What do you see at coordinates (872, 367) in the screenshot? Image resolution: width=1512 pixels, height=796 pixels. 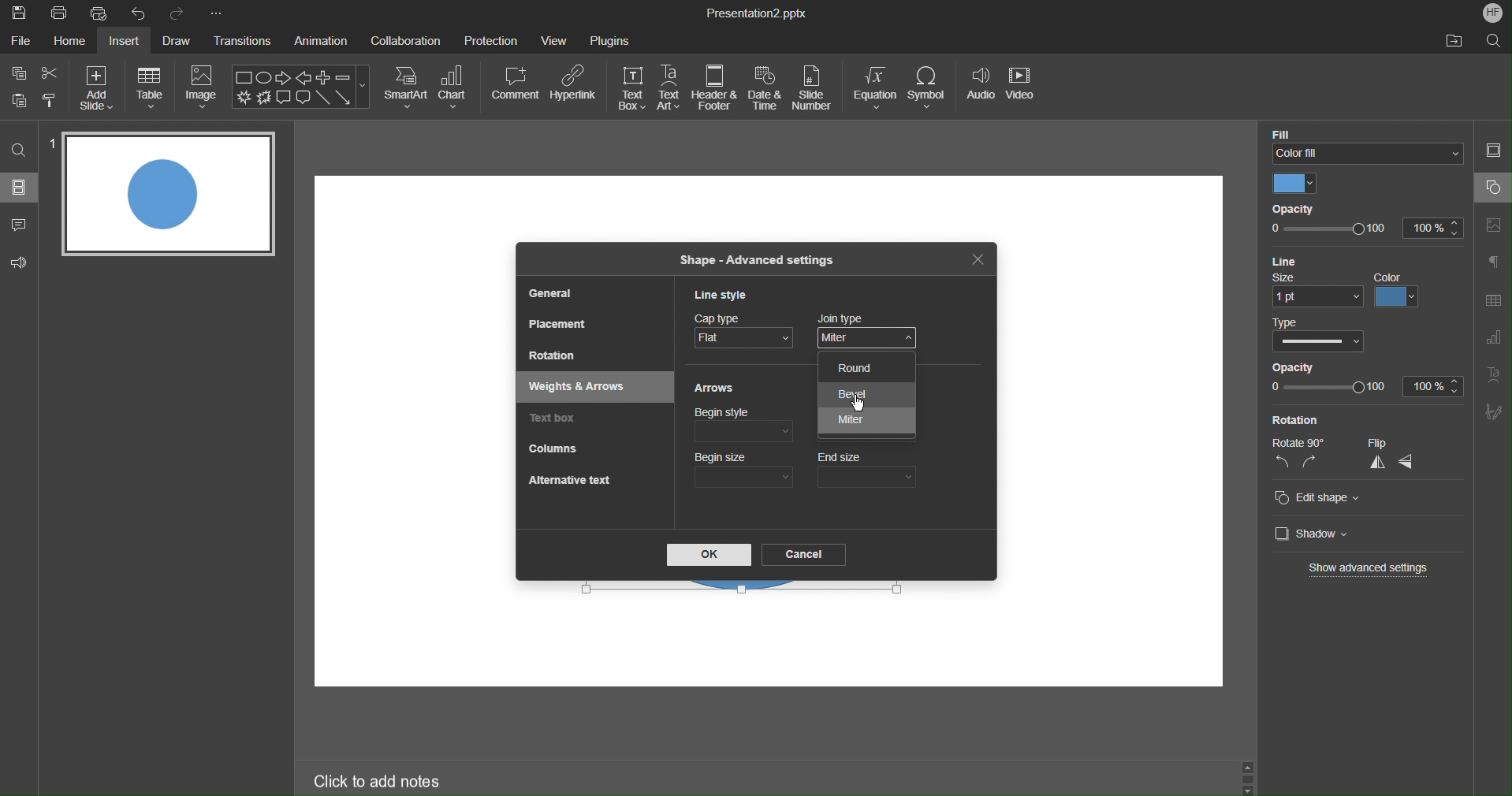 I see `Round` at bounding box center [872, 367].